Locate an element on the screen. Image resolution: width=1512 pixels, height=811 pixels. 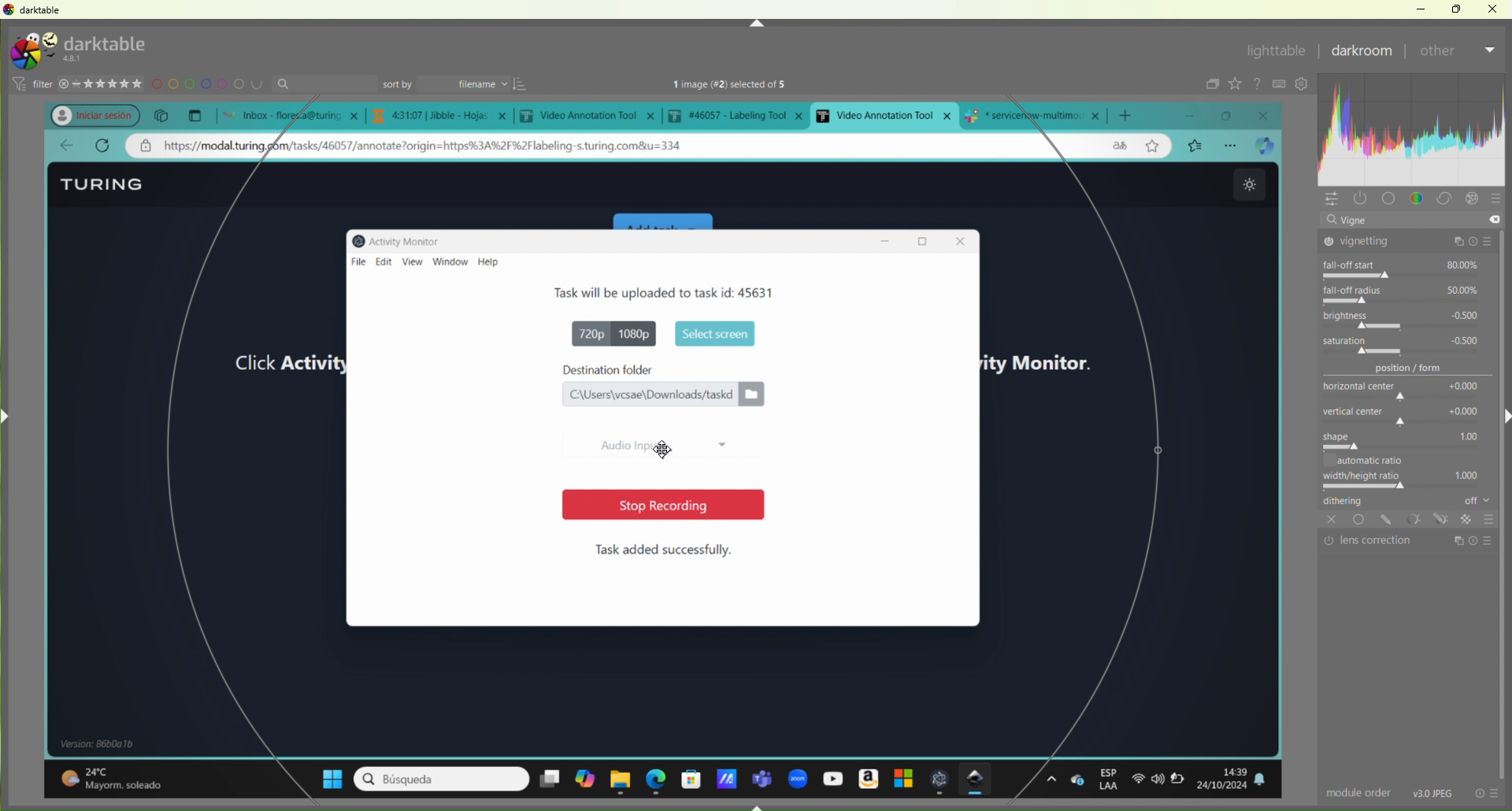
open tabs is located at coordinates (287, 114).